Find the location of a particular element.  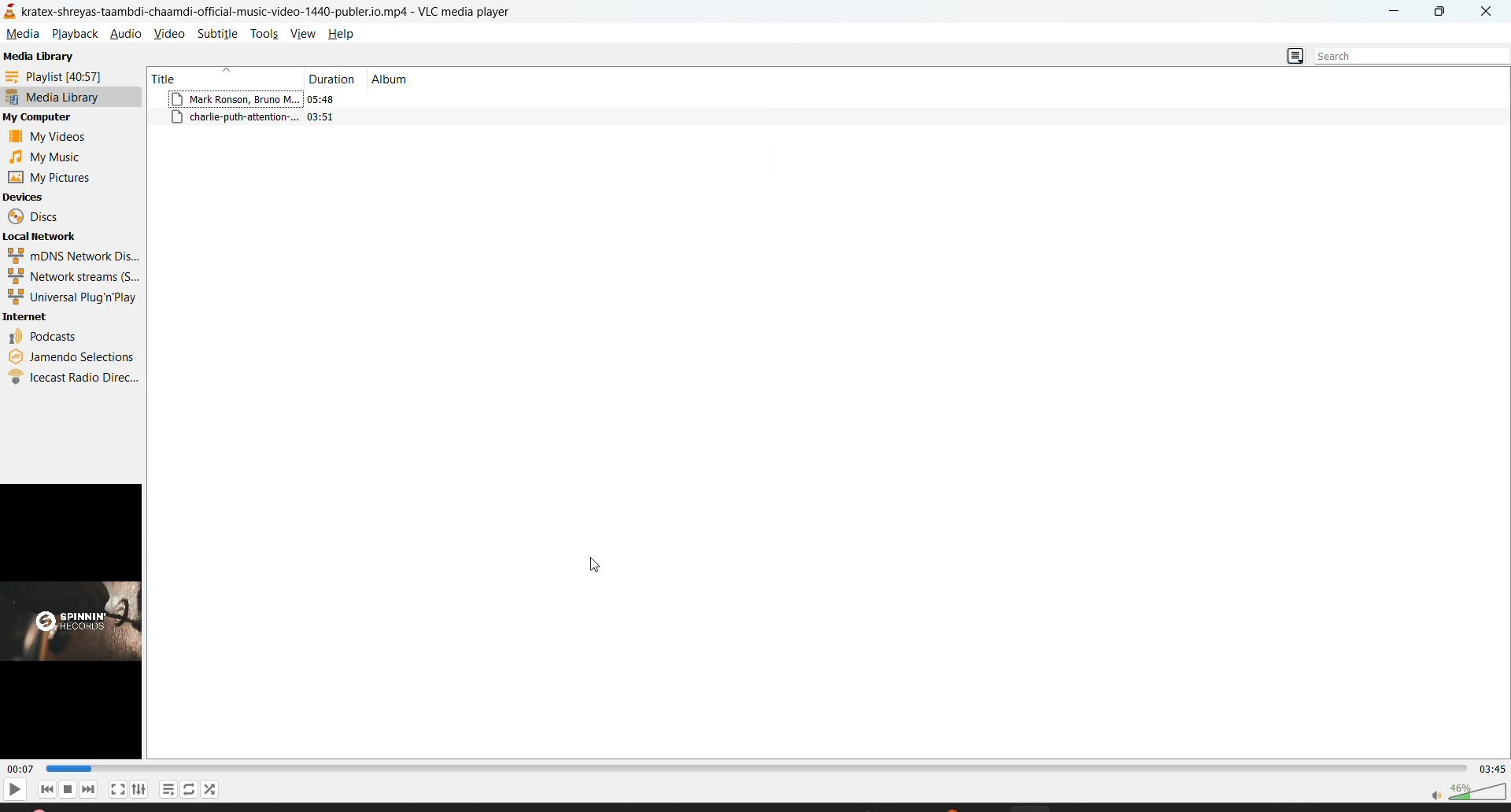

minimize is located at coordinates (1398, 14).